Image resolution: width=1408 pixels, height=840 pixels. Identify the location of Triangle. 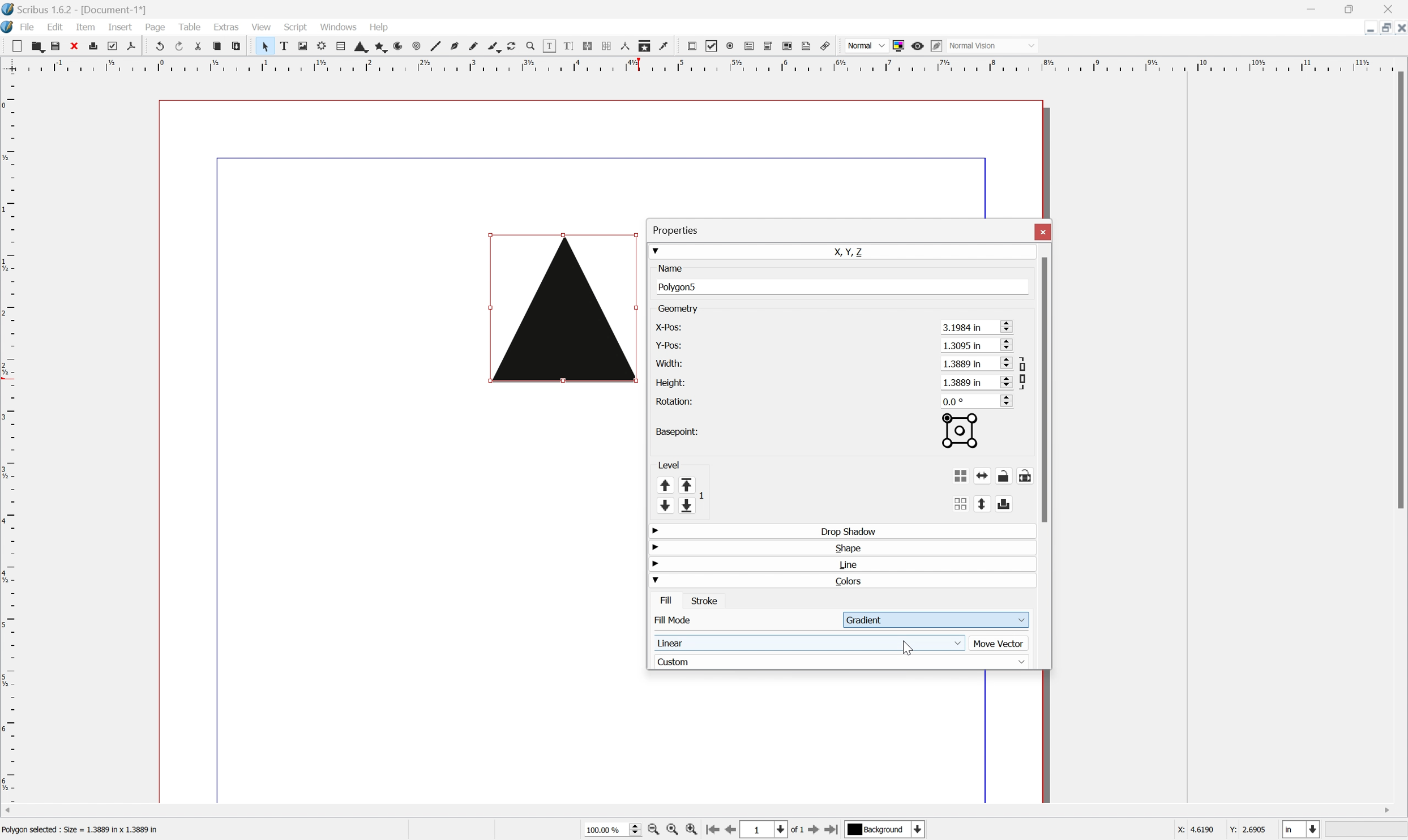
(562, 308).